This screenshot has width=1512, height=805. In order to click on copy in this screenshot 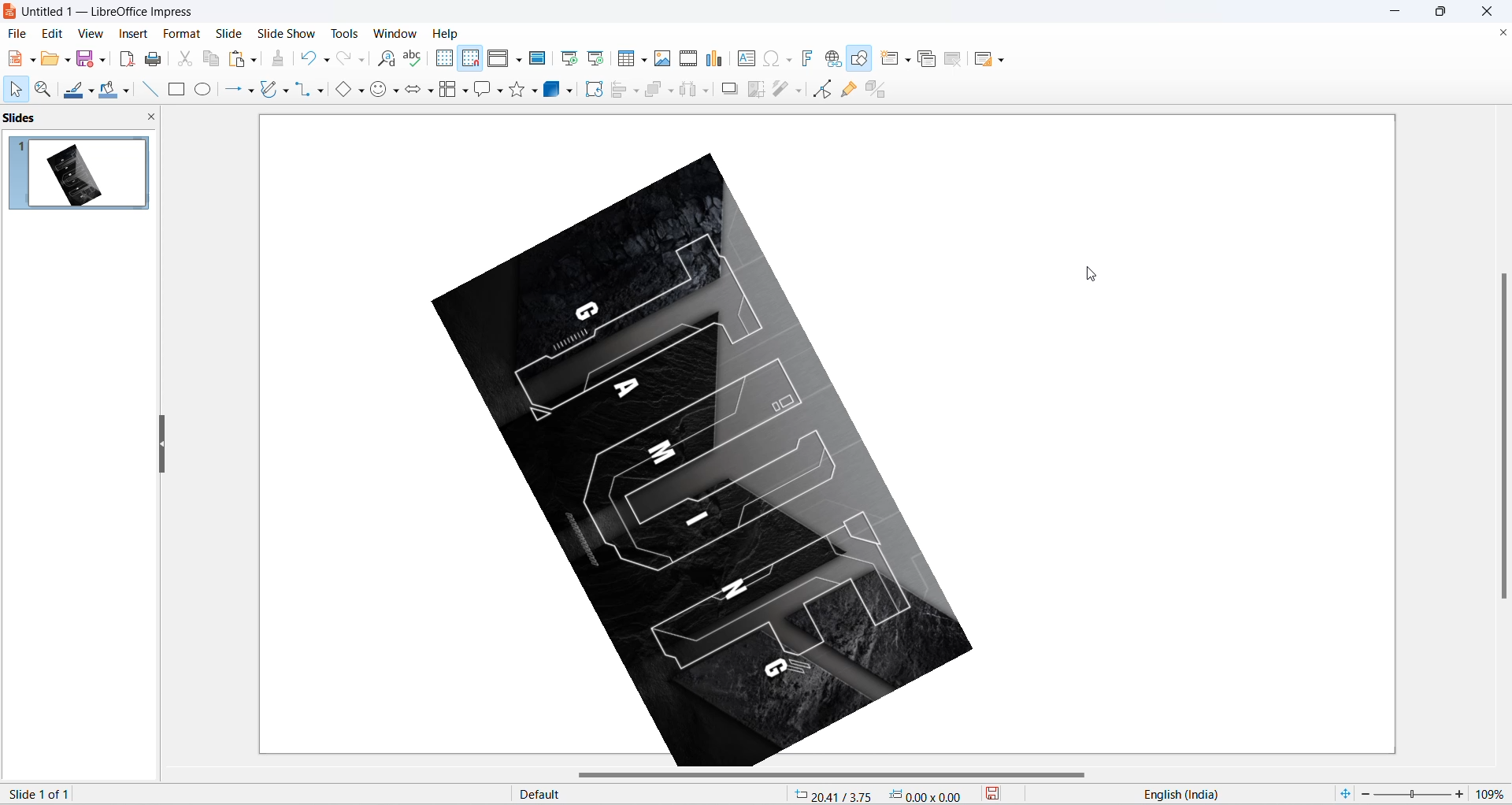, I will do `click(212, 58)`.